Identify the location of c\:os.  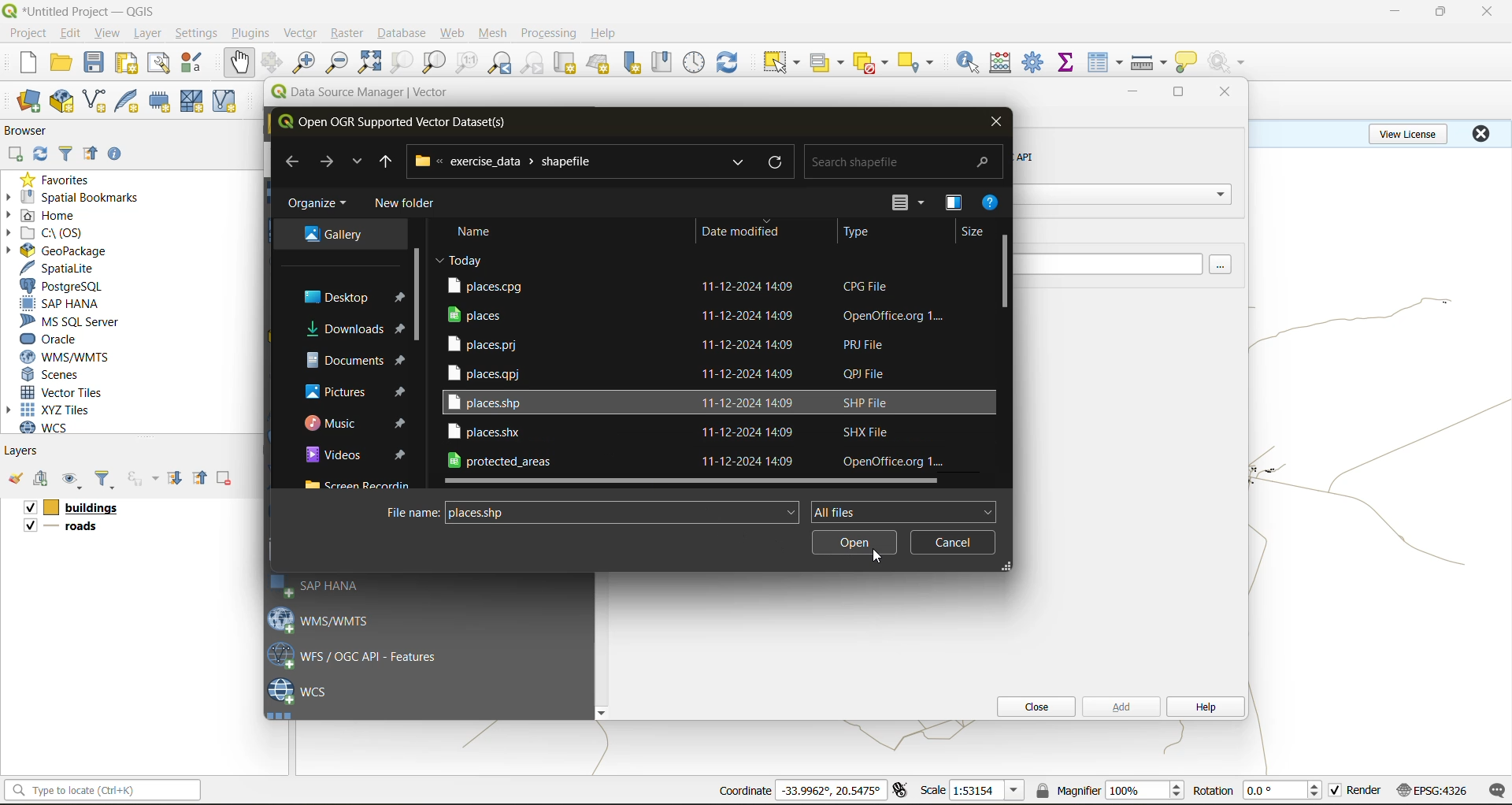
(51, 233).